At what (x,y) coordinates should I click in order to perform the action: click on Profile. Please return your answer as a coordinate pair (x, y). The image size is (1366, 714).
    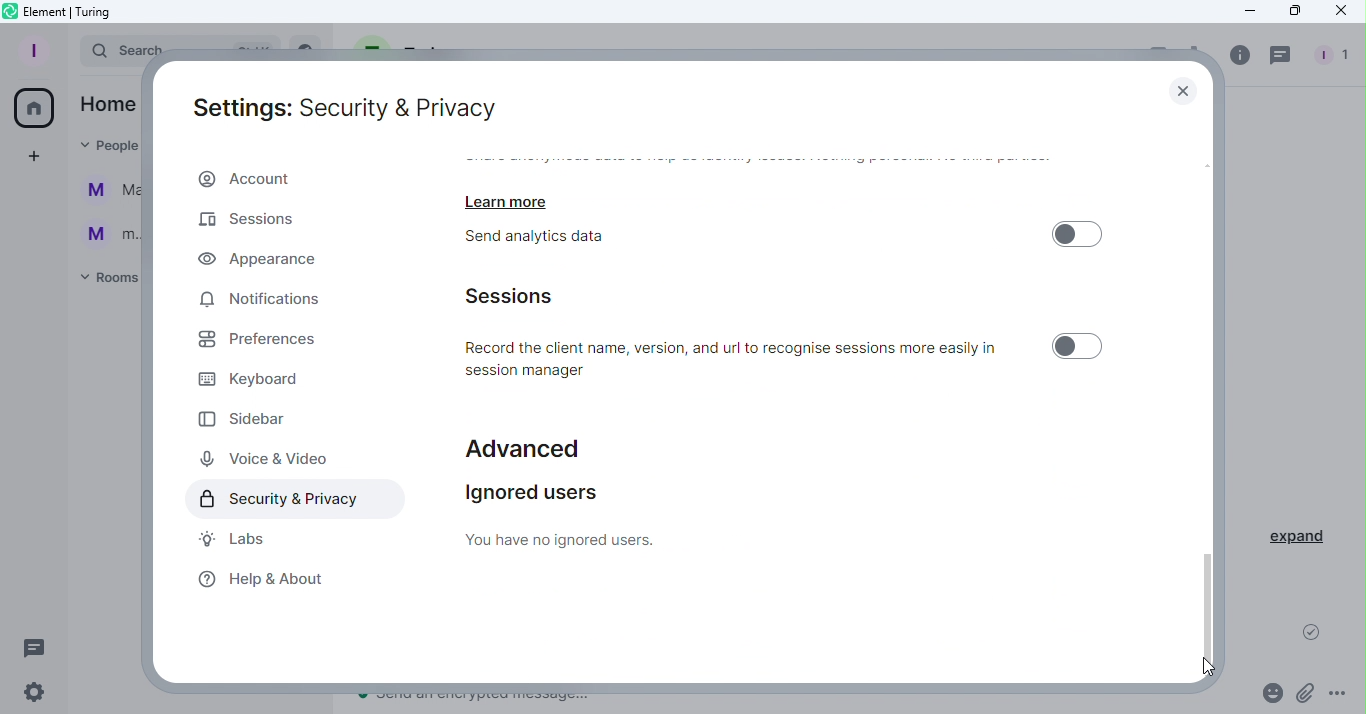
    Looking at the image, I should click on (35, 50).